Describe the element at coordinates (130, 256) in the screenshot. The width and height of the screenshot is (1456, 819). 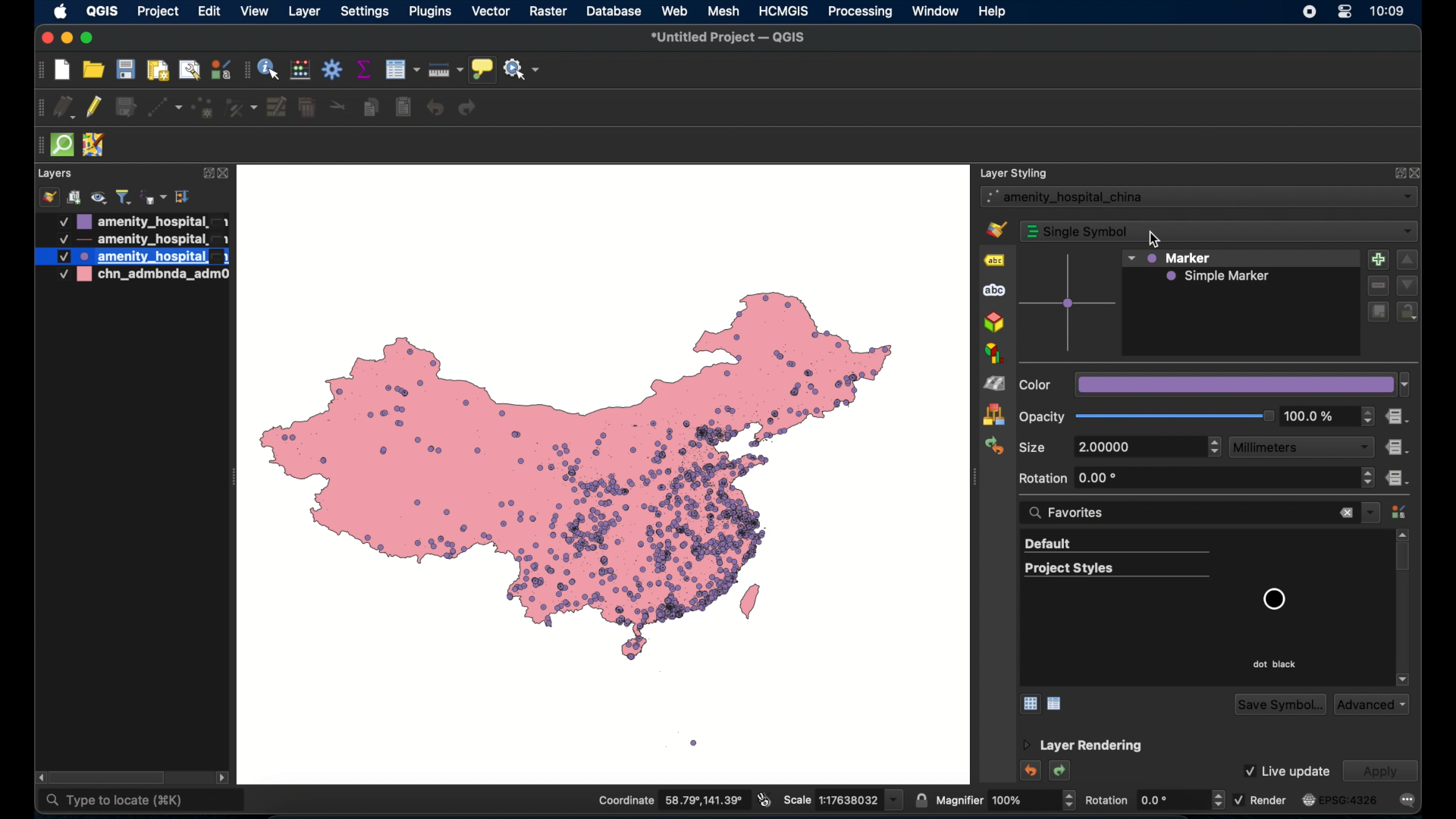
I see `layer 3` at that location.